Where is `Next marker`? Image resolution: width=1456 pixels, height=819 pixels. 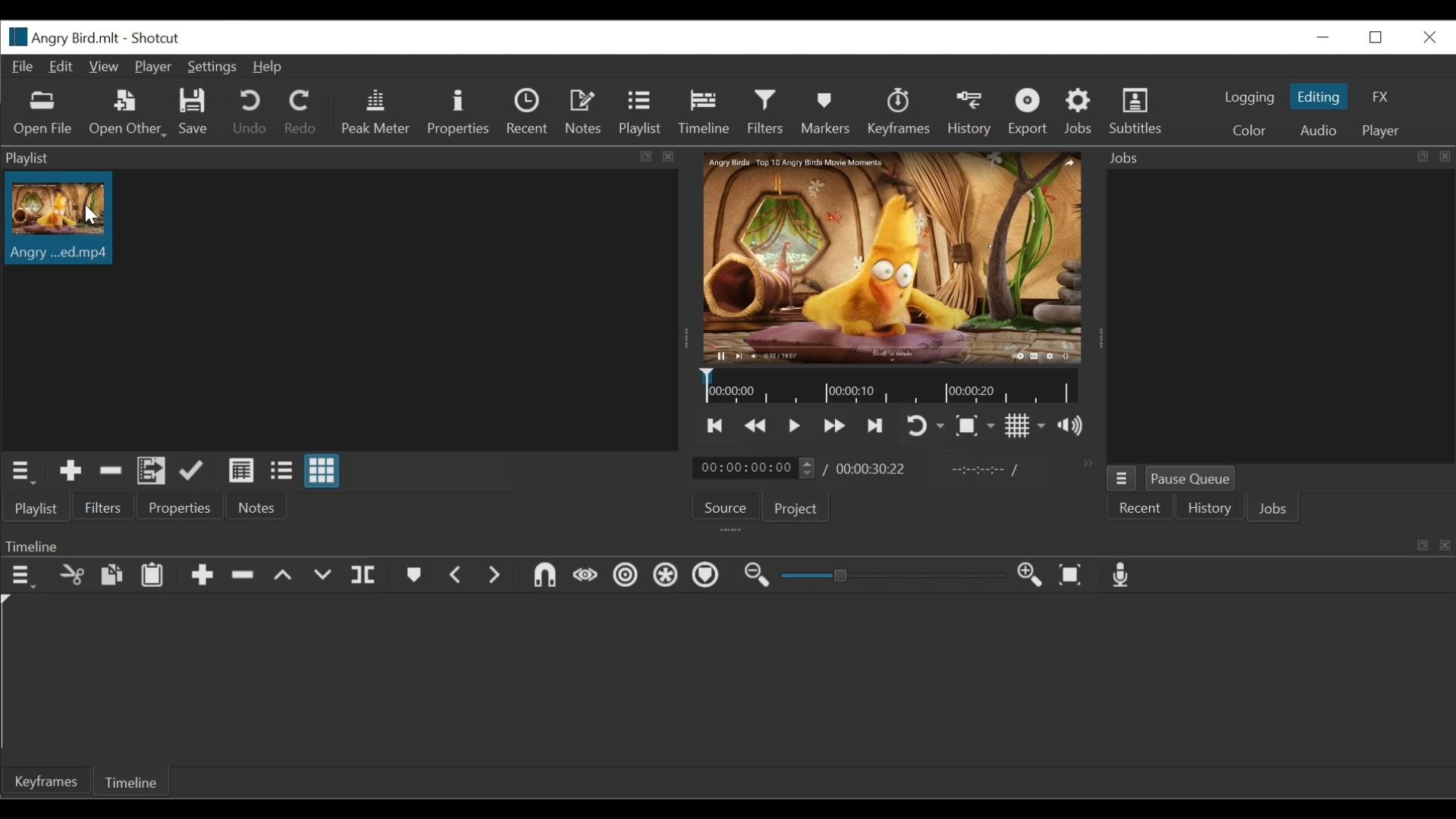 Next marker is located at coordinates (495, 576).